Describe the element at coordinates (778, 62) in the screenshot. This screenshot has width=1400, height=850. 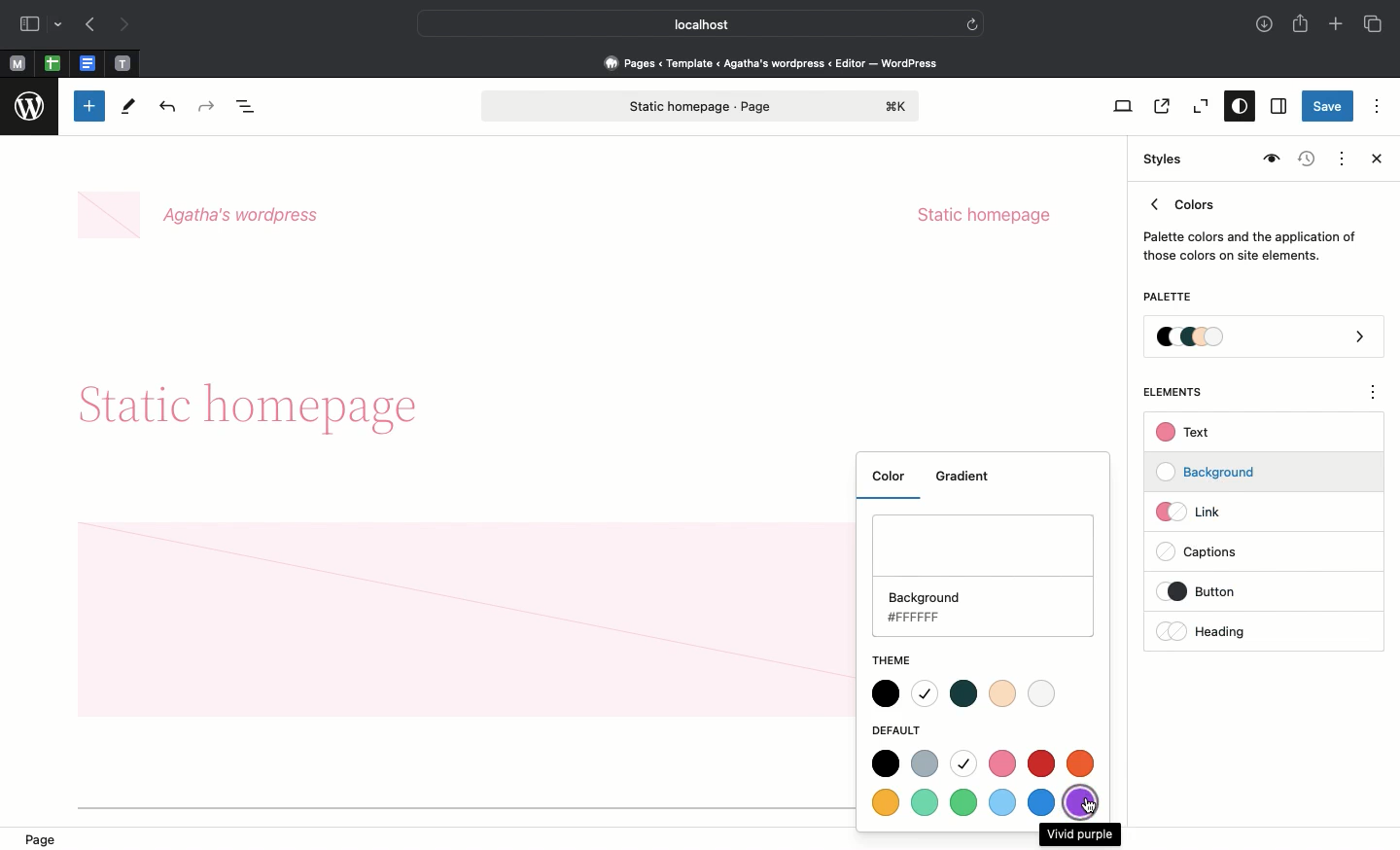
I see `Pages < Template <Agatha's wordpress < editor - wordpress` at that location.